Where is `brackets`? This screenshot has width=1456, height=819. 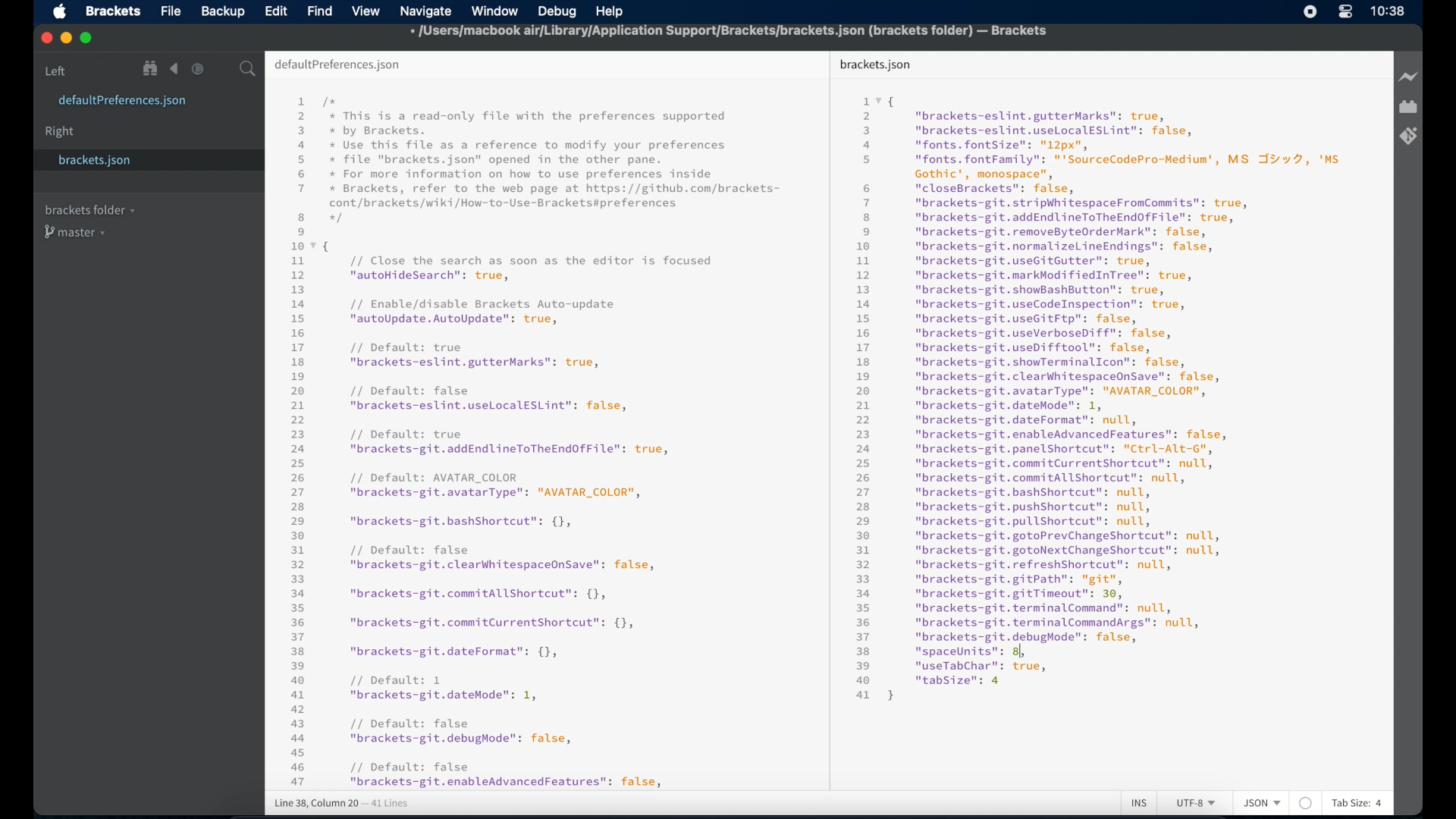
brackets is located at coordinates (114, 11).